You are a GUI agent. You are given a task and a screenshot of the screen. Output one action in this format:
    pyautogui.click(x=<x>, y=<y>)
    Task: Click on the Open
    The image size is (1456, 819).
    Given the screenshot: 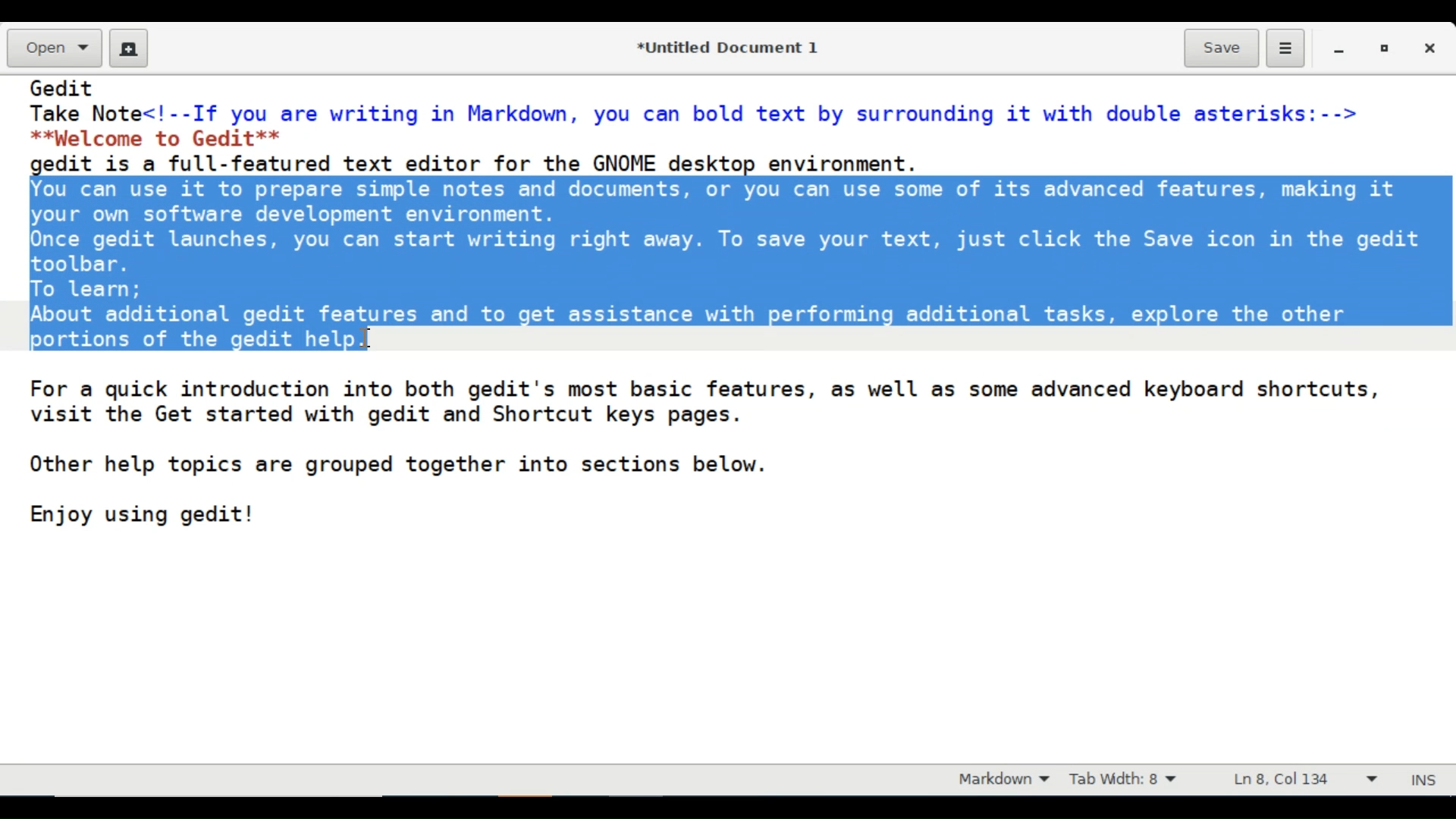 What is the action you would take?
    pyautogui.click(x=52, y=49)
    